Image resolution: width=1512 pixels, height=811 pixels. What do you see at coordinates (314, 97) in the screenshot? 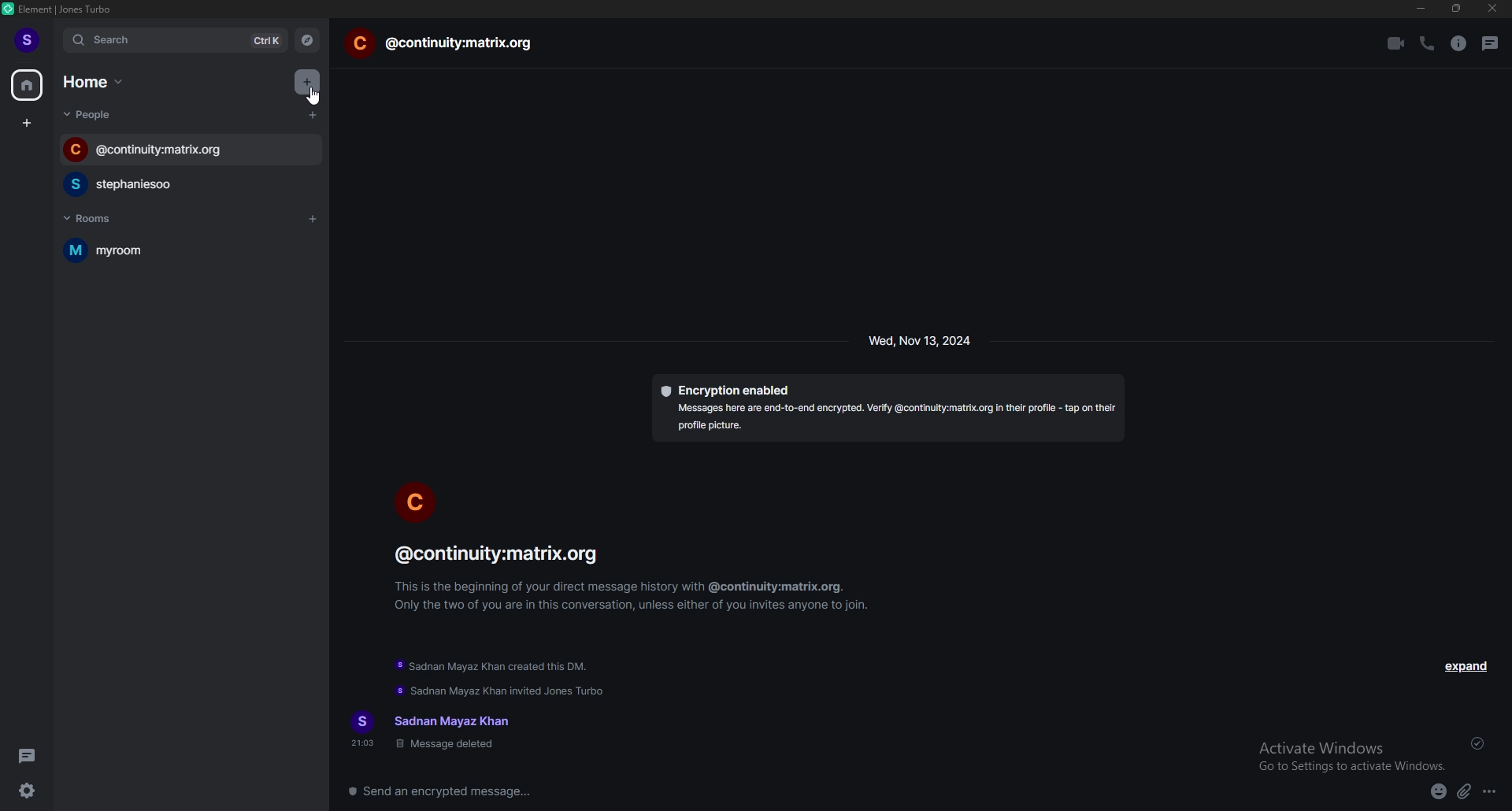
I see `cursor` at bounding box center [314, 97].